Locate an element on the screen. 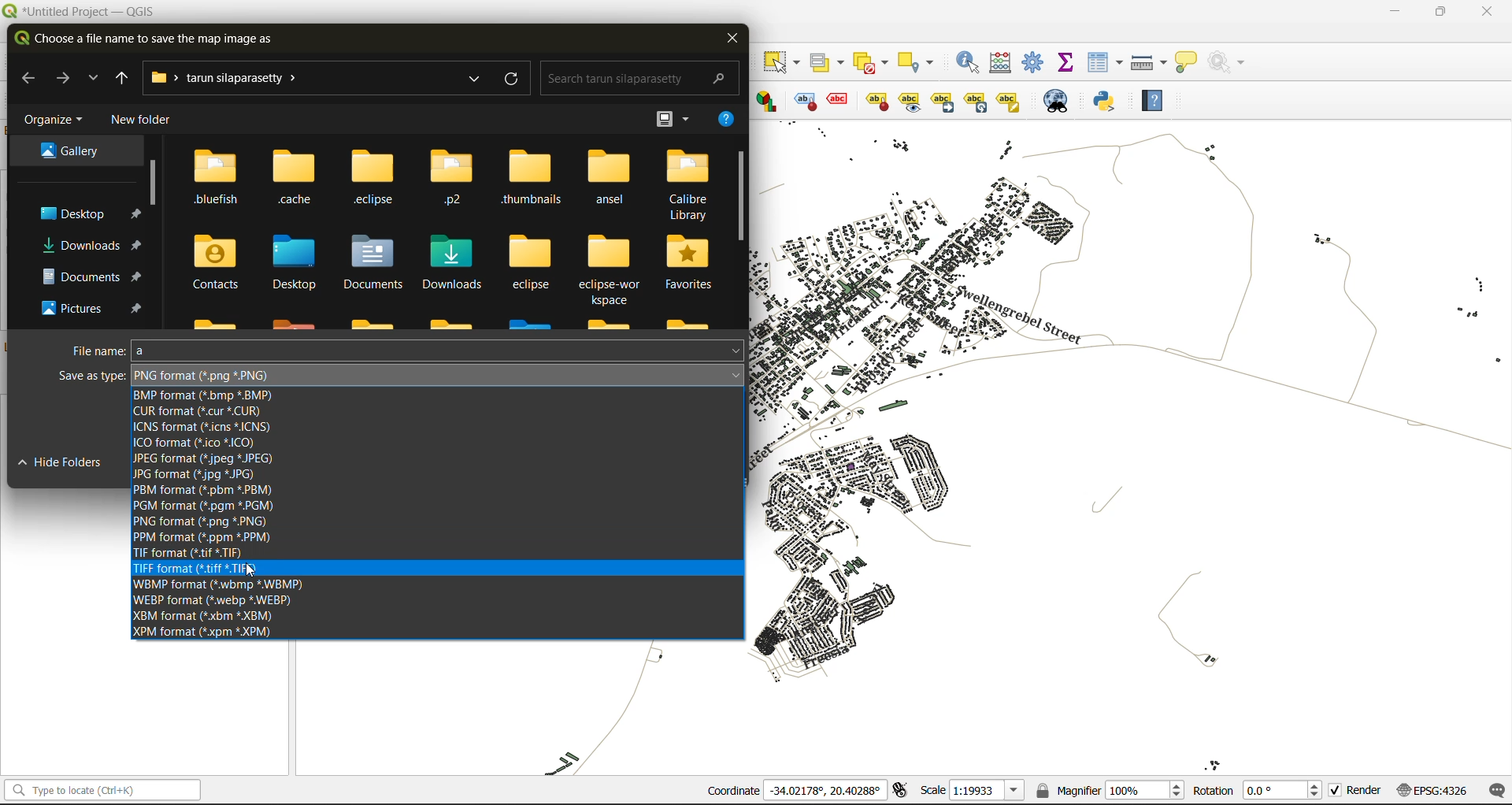 This screenshot has width=1512, height=805. cur is located at coordinates (207, 413).